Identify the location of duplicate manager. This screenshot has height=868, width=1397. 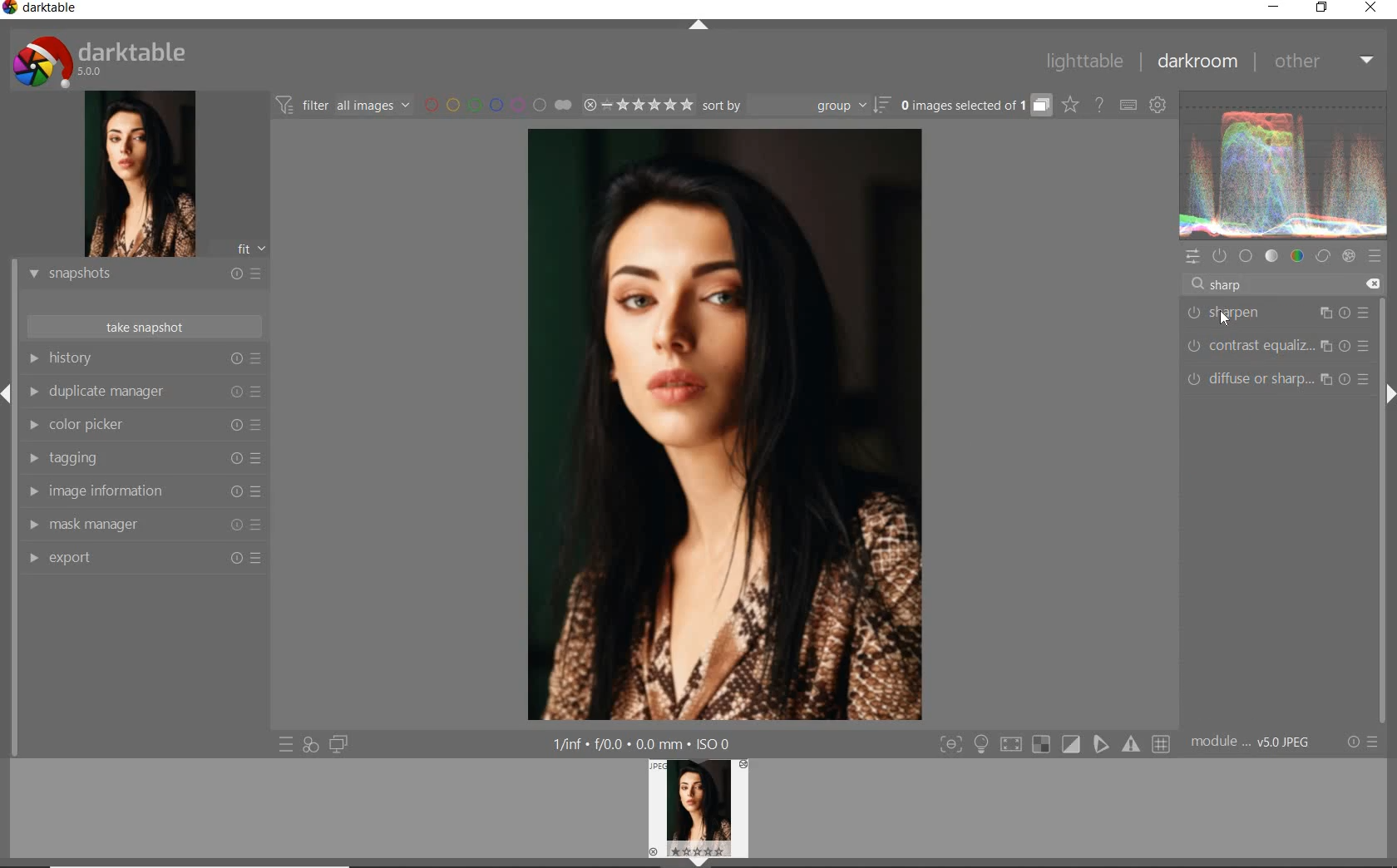
(144, 390).